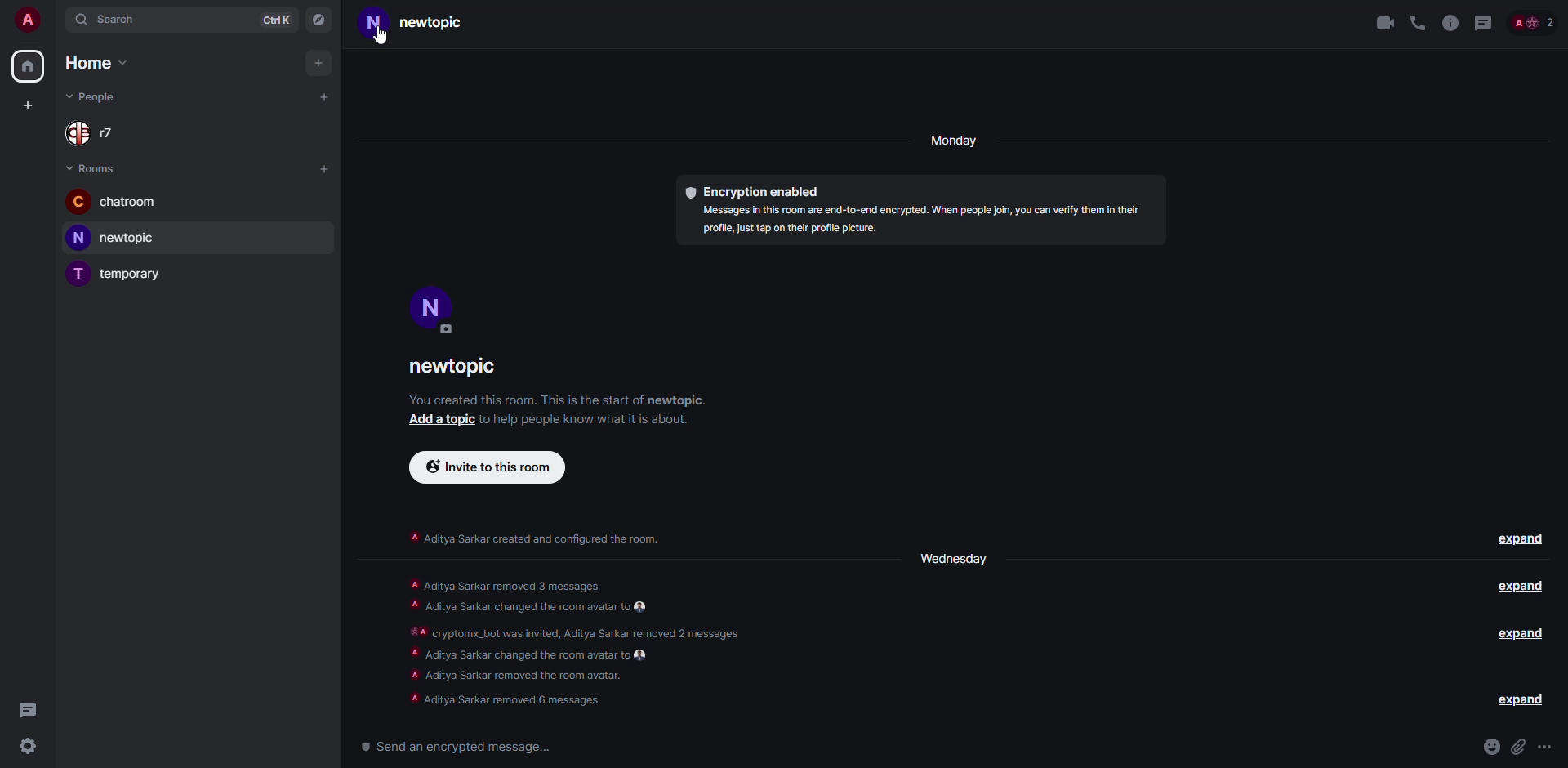  What do you see at coordinates (118, 203) in the screenshot?
I see `chatroom` at bounding box center [118, 203].